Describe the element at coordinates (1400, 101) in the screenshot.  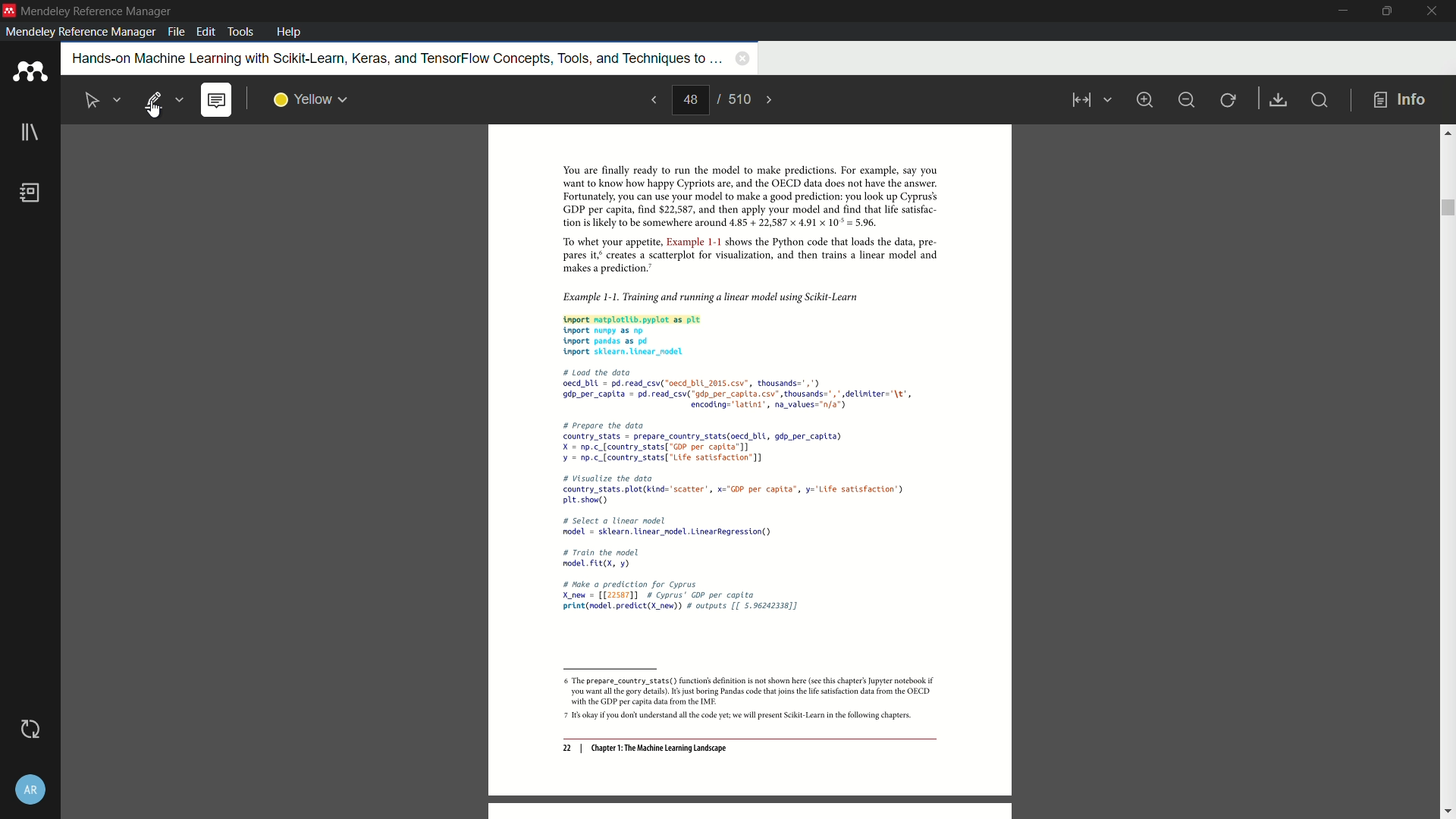
I see `info` at that location.